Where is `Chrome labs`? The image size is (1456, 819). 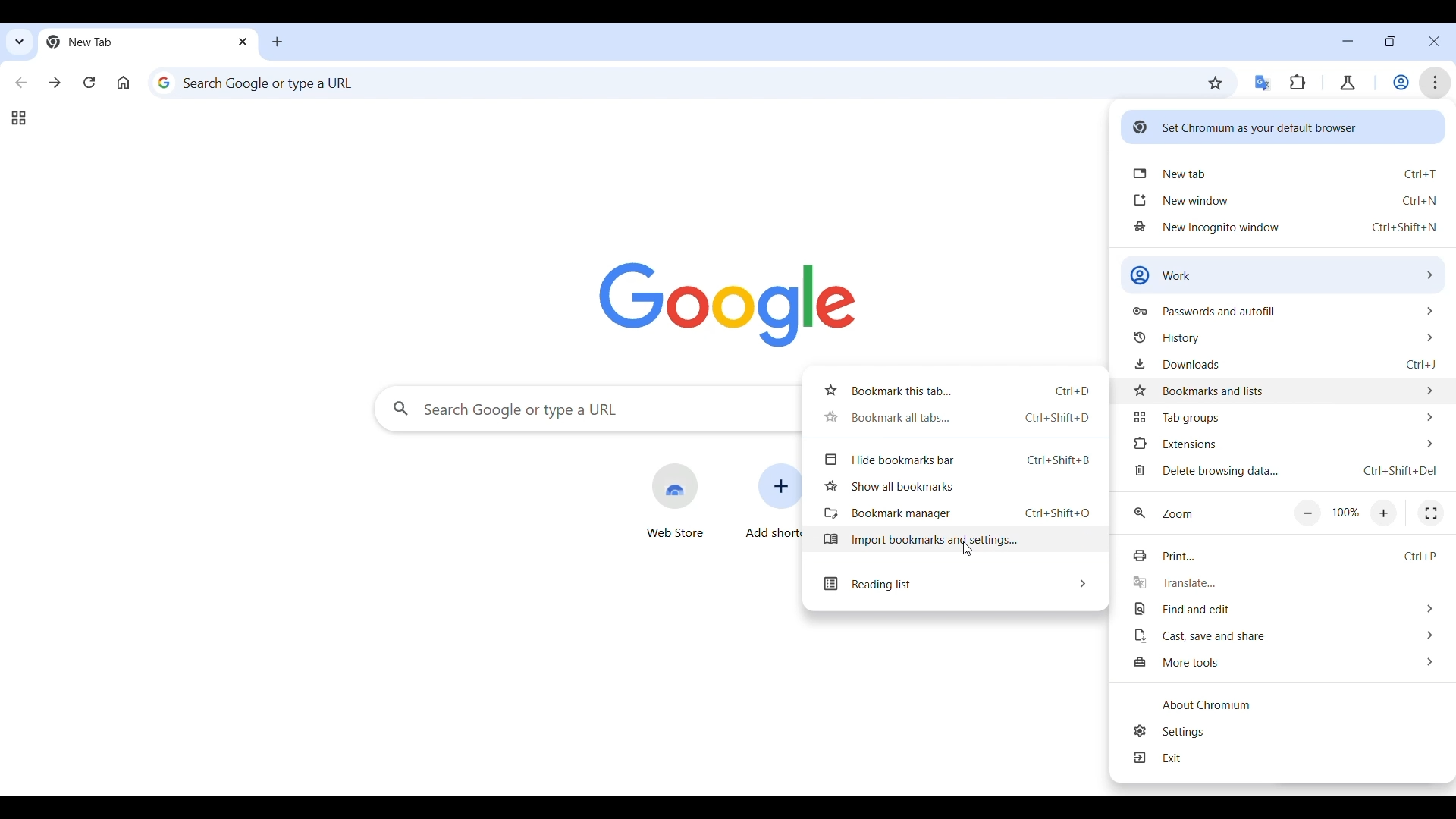
Chrome labs is located at coordinates (1348, 83).